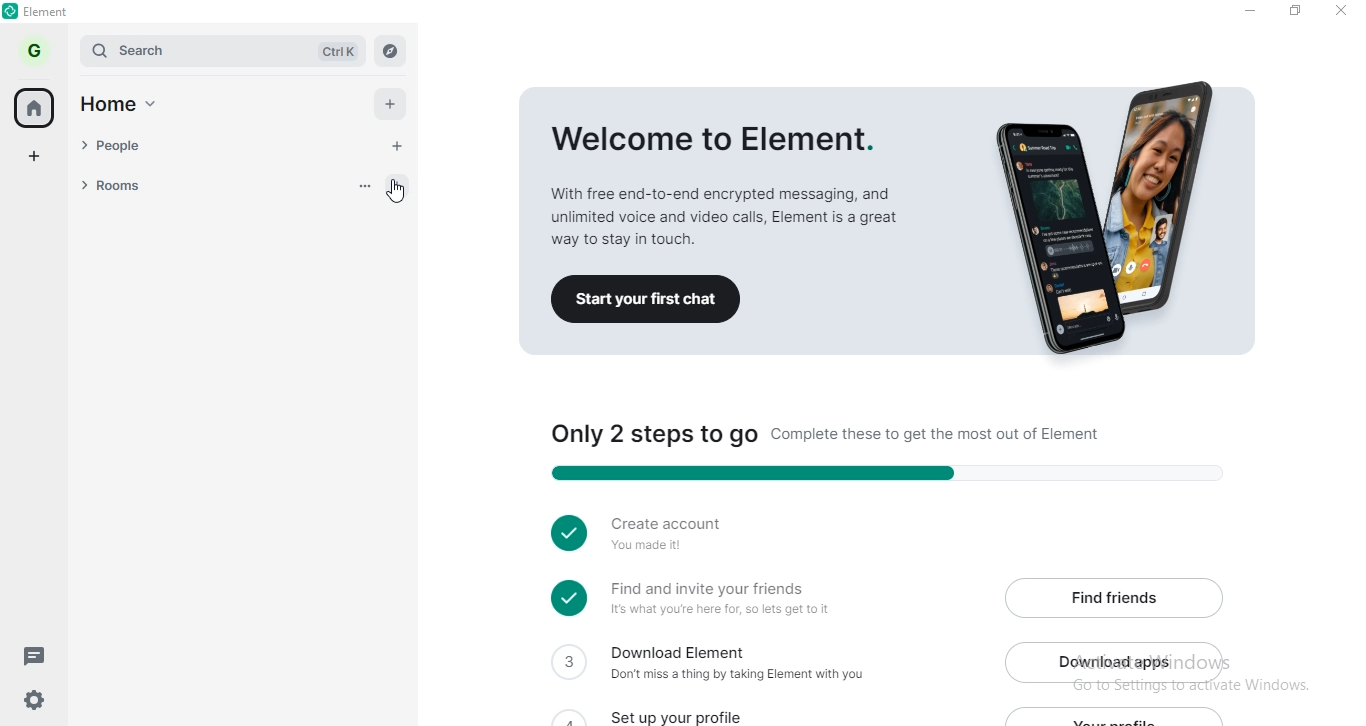 This screenshot has height=726, width=1366. Describe the element at coordinates (37, 50) in the screenshot. I see `G` at that location.